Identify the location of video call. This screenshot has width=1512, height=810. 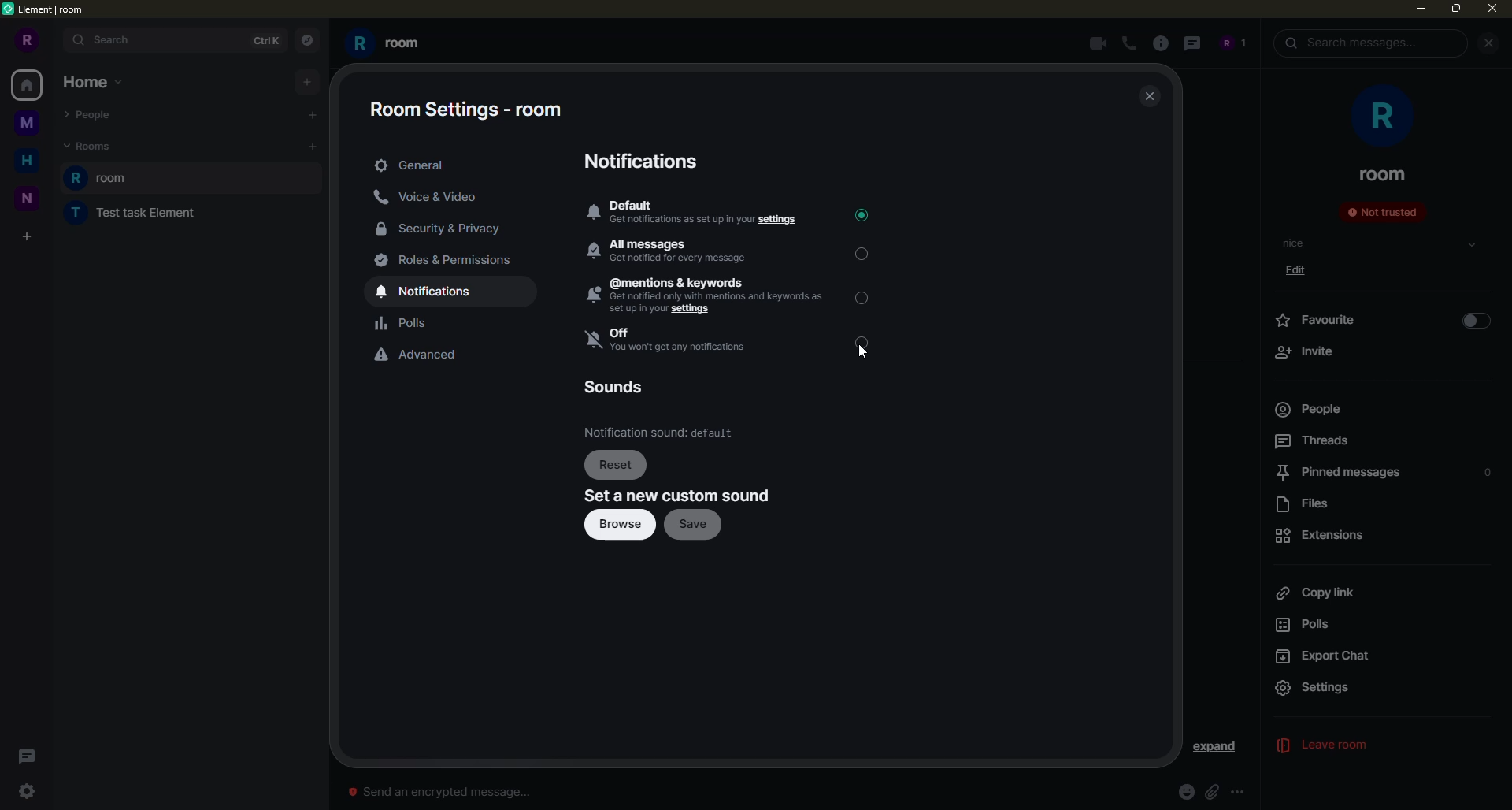
(1094, 43).